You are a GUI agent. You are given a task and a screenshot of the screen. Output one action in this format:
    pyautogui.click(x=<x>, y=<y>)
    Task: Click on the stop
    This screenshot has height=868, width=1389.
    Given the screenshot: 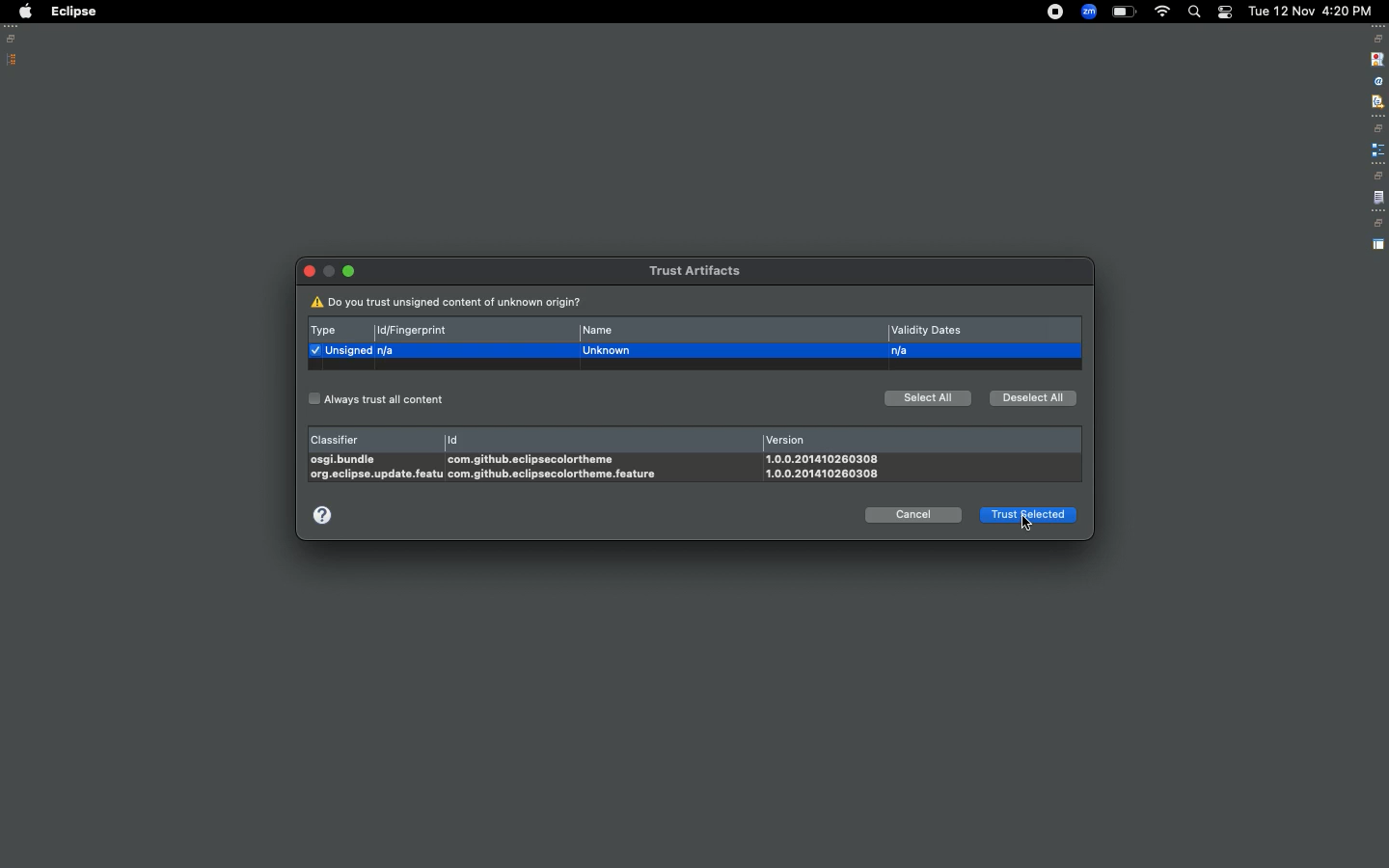 What is the action you would take?
    pyautogui.click(x=1375, y=58)
    